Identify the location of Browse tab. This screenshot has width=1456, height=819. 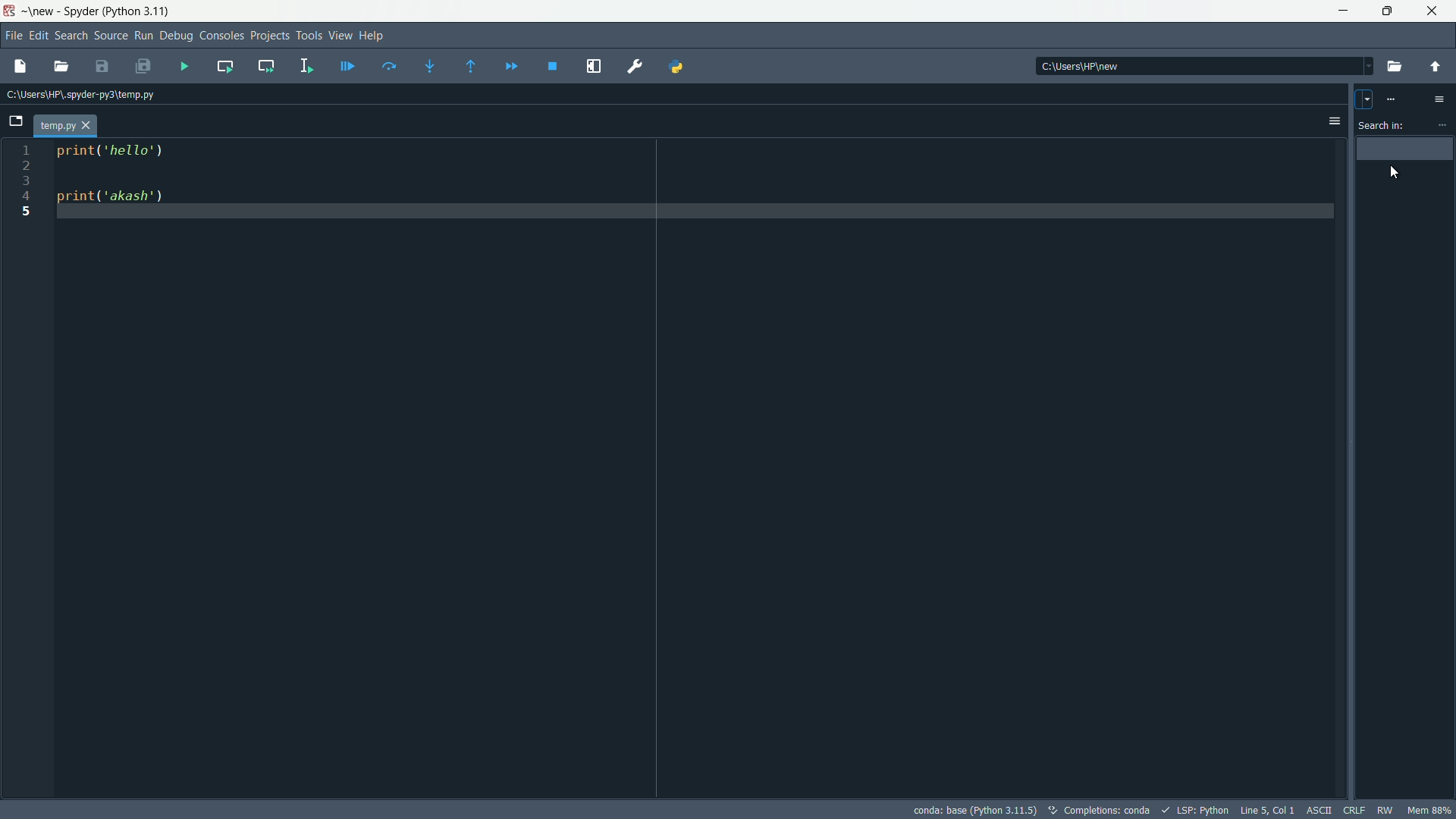
(20, 121).